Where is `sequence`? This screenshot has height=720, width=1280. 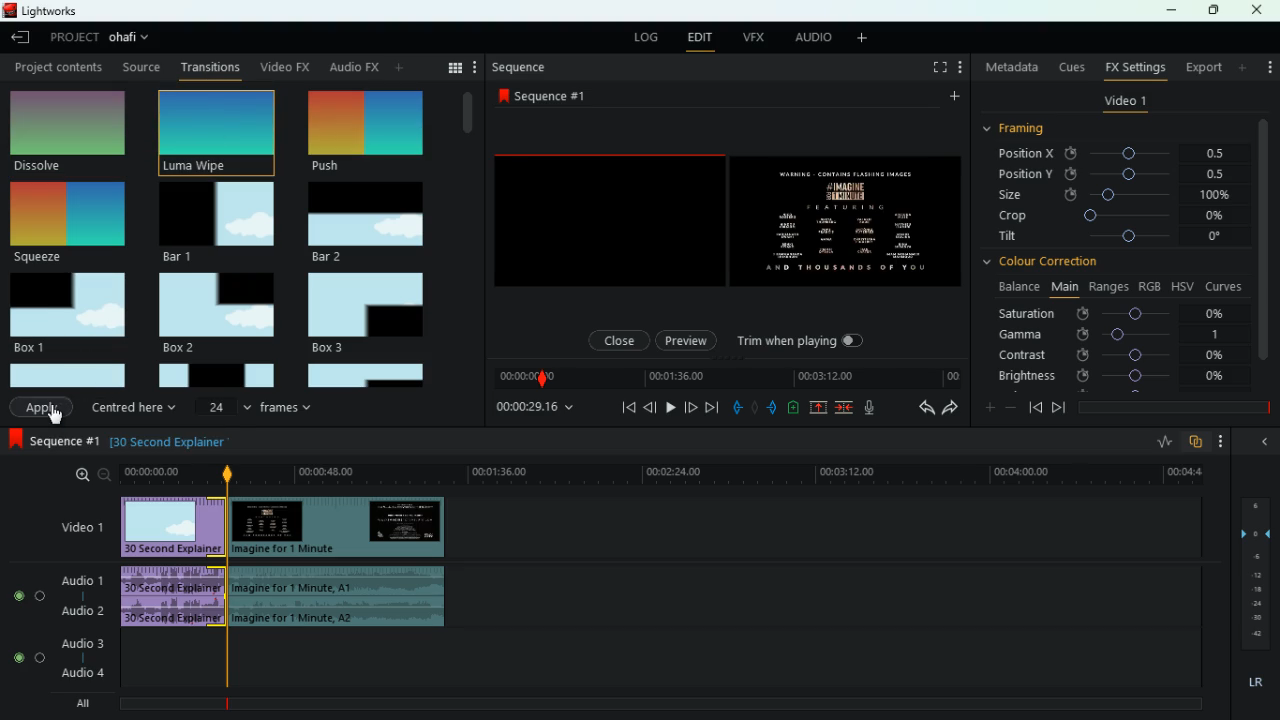
sequence is located at coordinates (521, 67).